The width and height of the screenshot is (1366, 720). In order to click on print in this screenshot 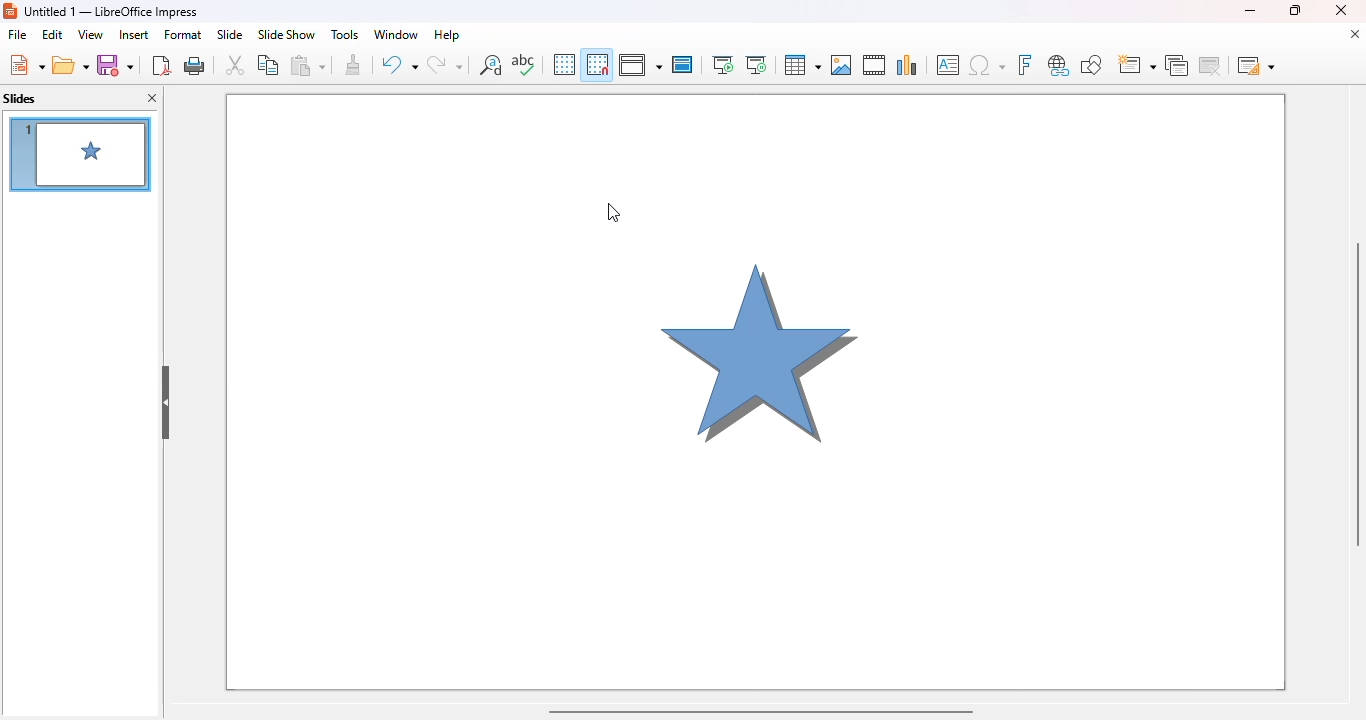, I will do `click(196, 64)`.